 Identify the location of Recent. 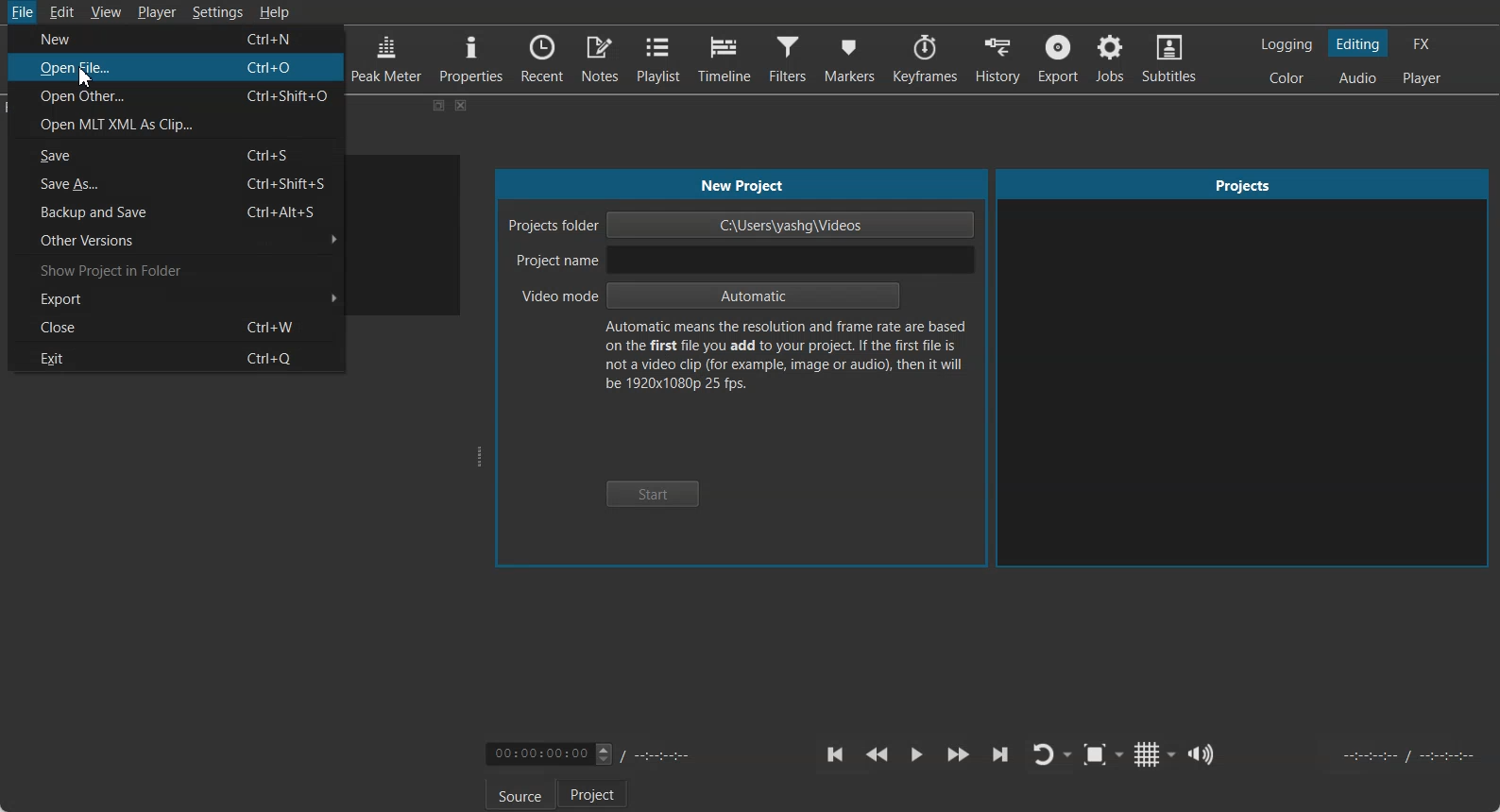
(542, 57).